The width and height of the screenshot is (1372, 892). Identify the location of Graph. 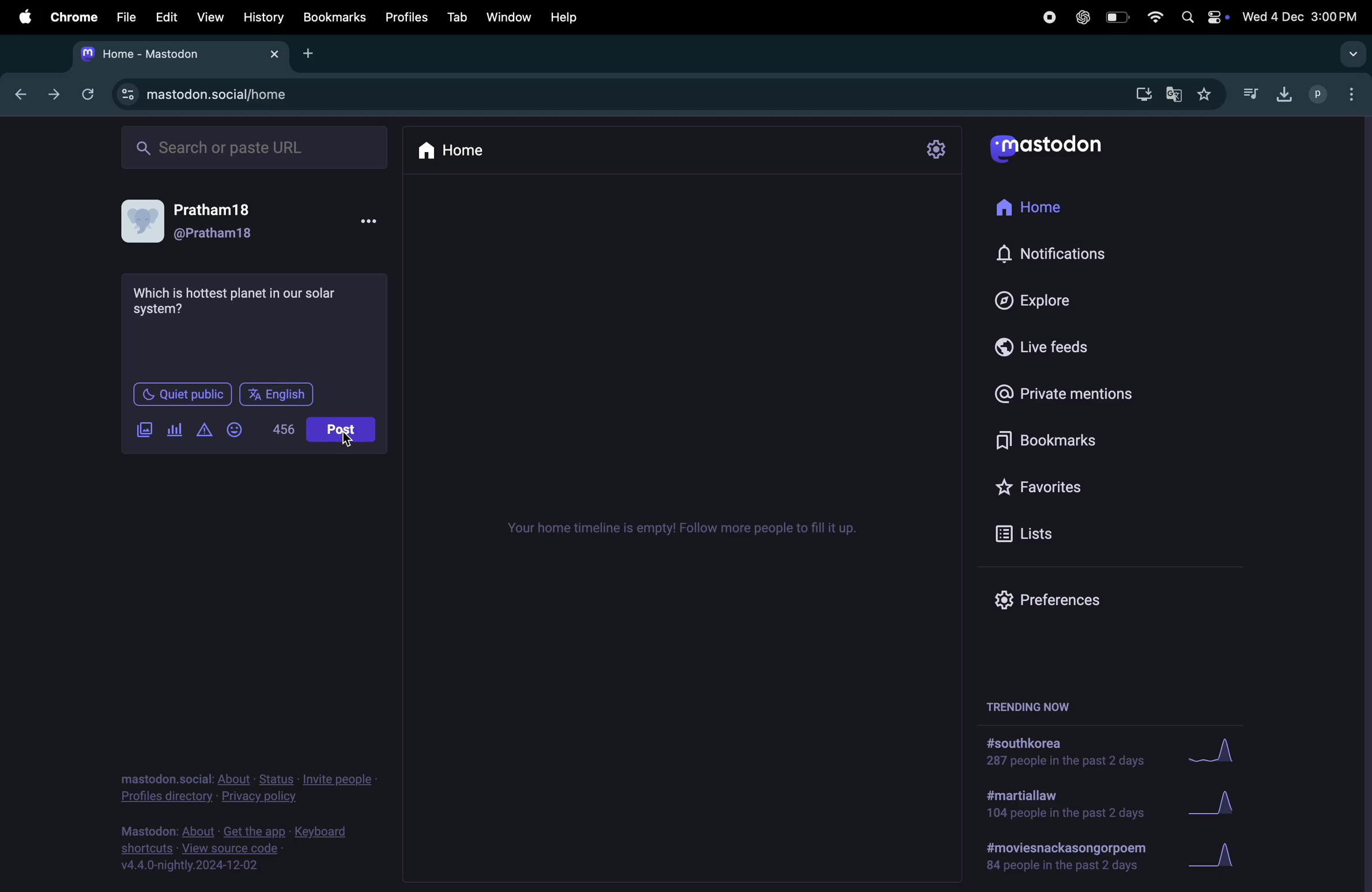
(1234, 798).